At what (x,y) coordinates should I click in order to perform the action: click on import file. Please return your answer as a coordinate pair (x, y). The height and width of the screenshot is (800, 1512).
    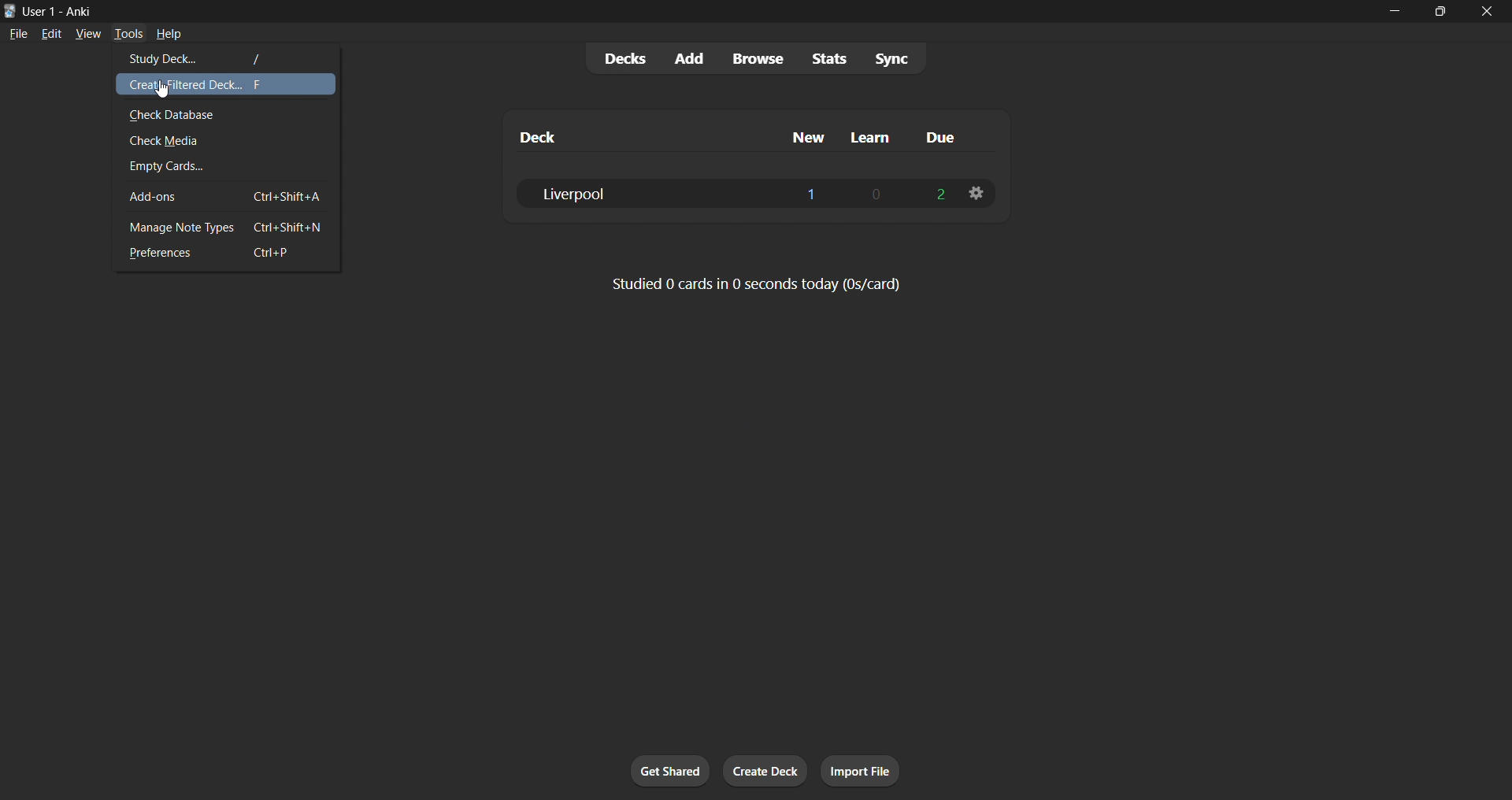
    Looking at the image, I should click on (861, 770).